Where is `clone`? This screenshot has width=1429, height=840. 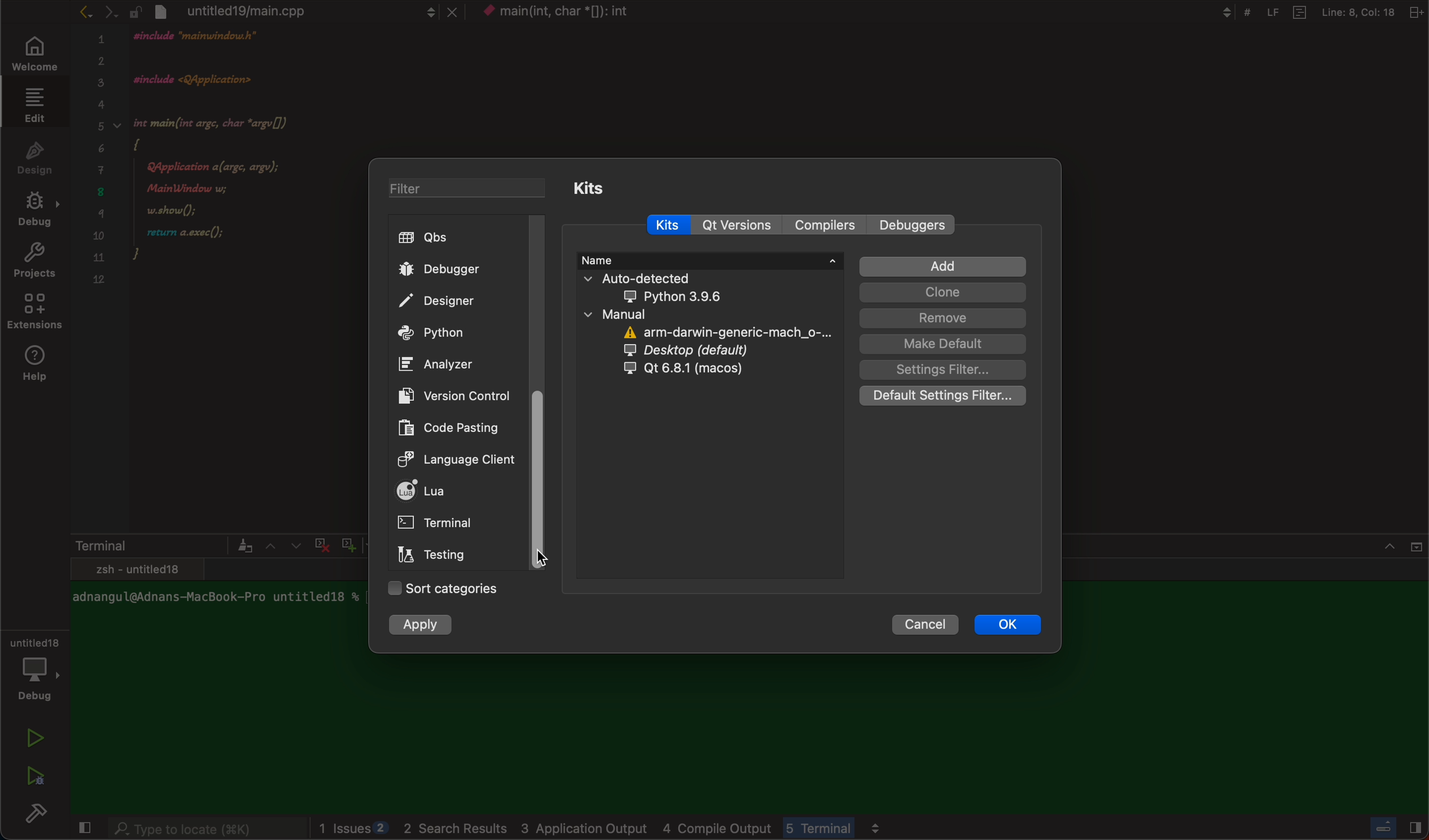 clone is located at coordinates (942, 292).